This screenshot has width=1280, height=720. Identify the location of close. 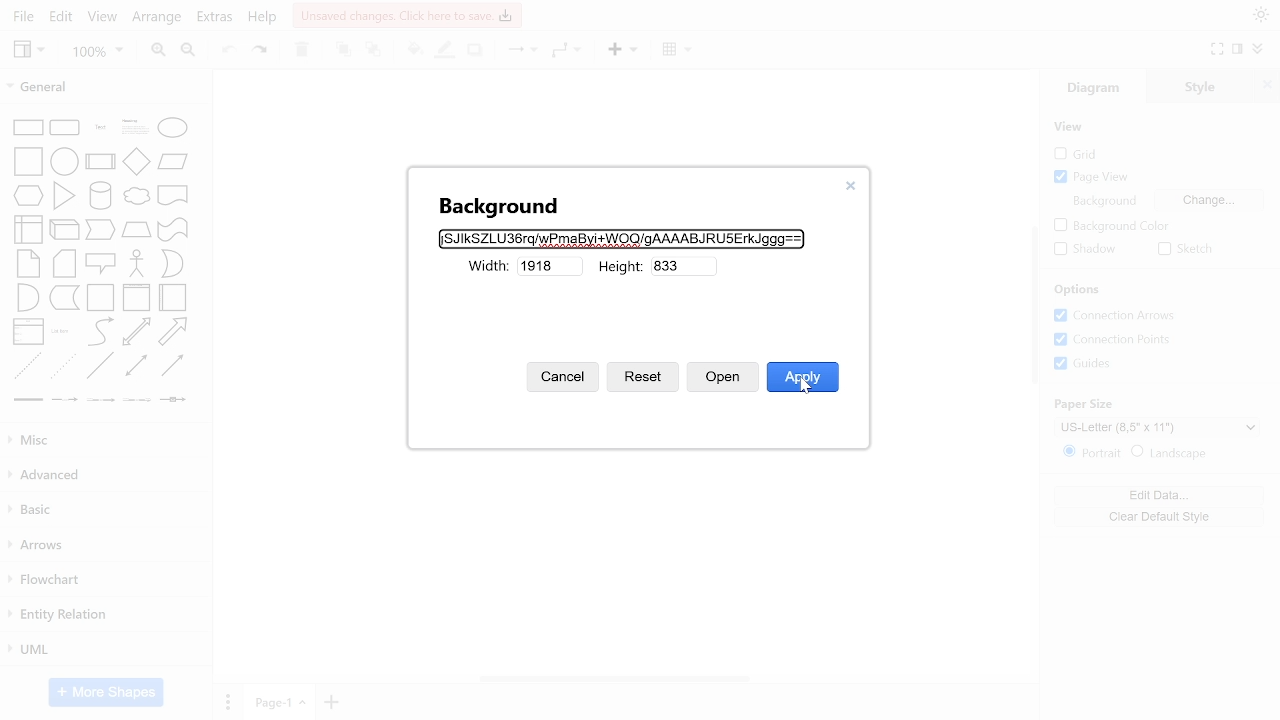
(851, 186).